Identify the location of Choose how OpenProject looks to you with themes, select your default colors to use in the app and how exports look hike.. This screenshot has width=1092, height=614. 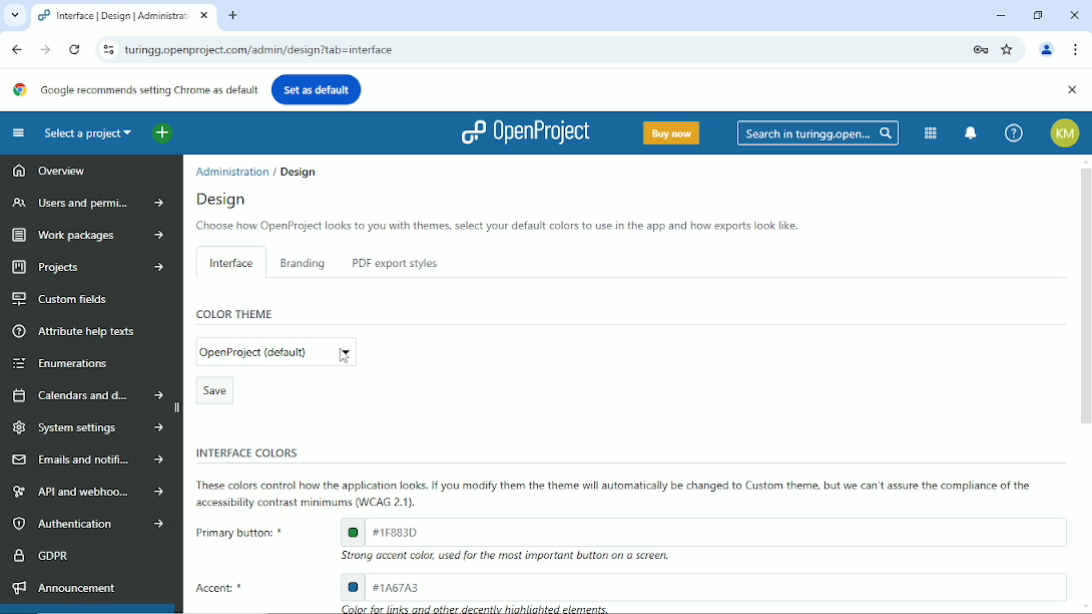
(495, 227).